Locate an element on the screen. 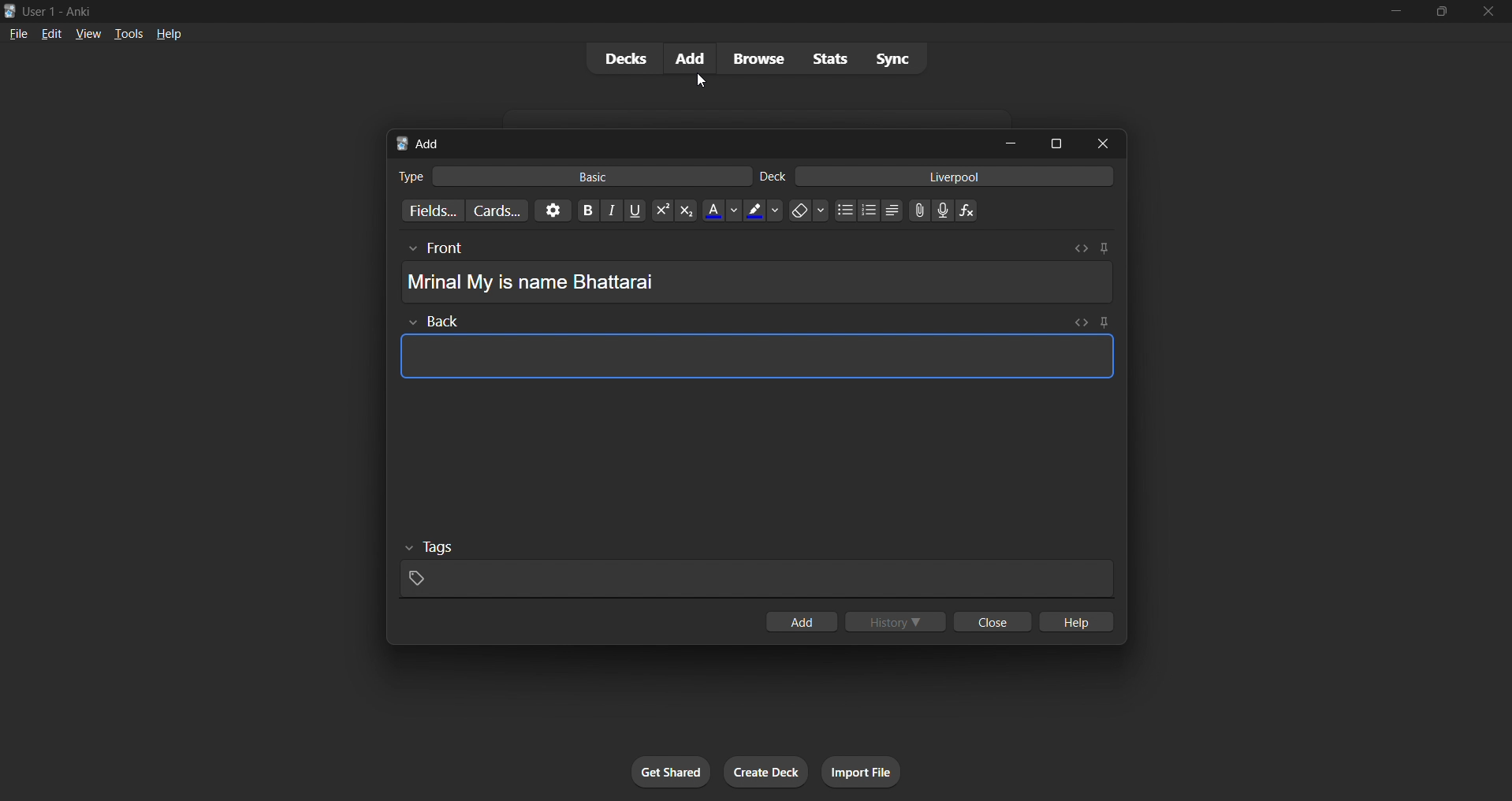 This screenshot has height=801, width=1512. maximize/restore is located at coordinates (1447, 12).